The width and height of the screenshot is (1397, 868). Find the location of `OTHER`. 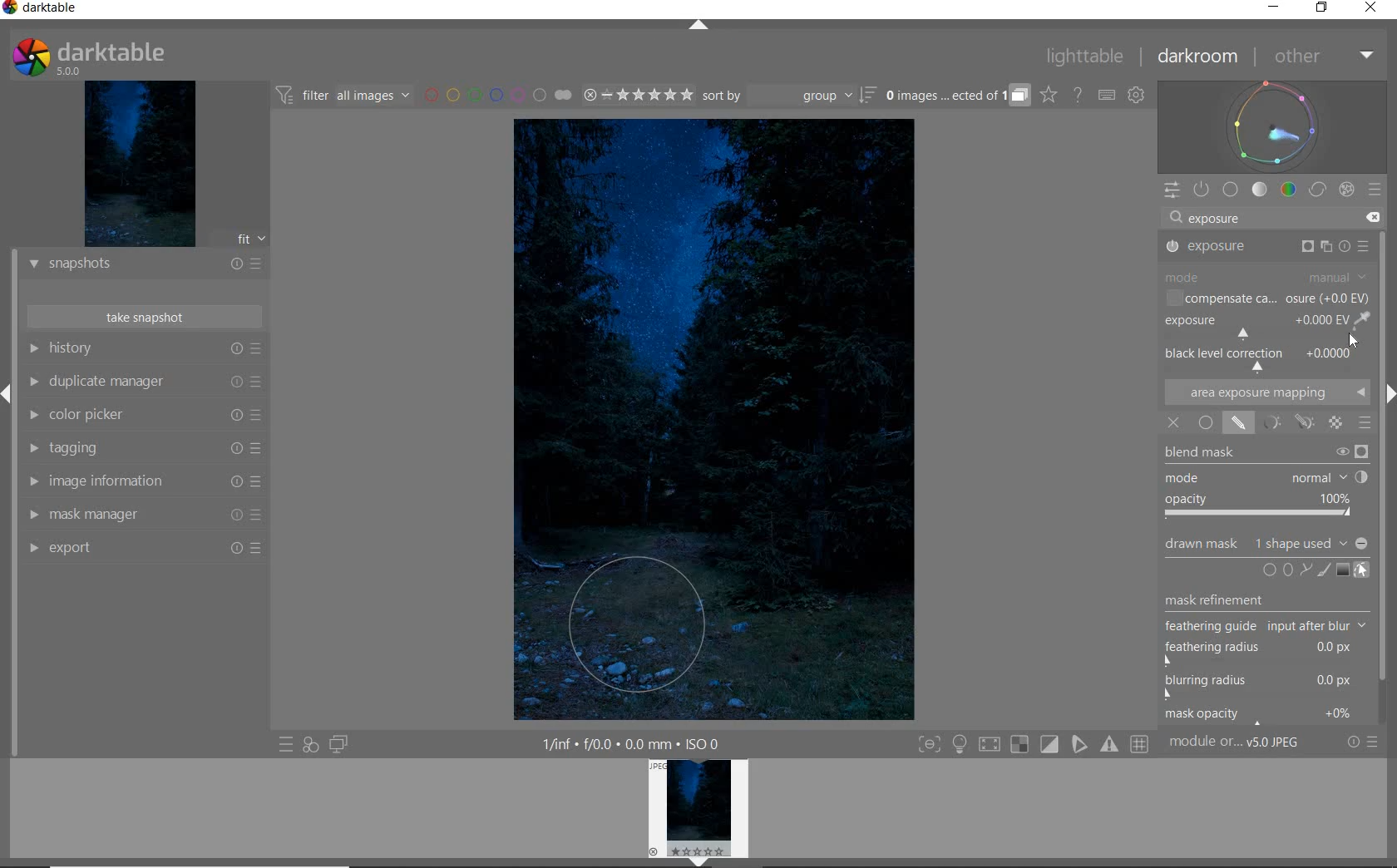

OTHER is located at coordinates (1321, 57).